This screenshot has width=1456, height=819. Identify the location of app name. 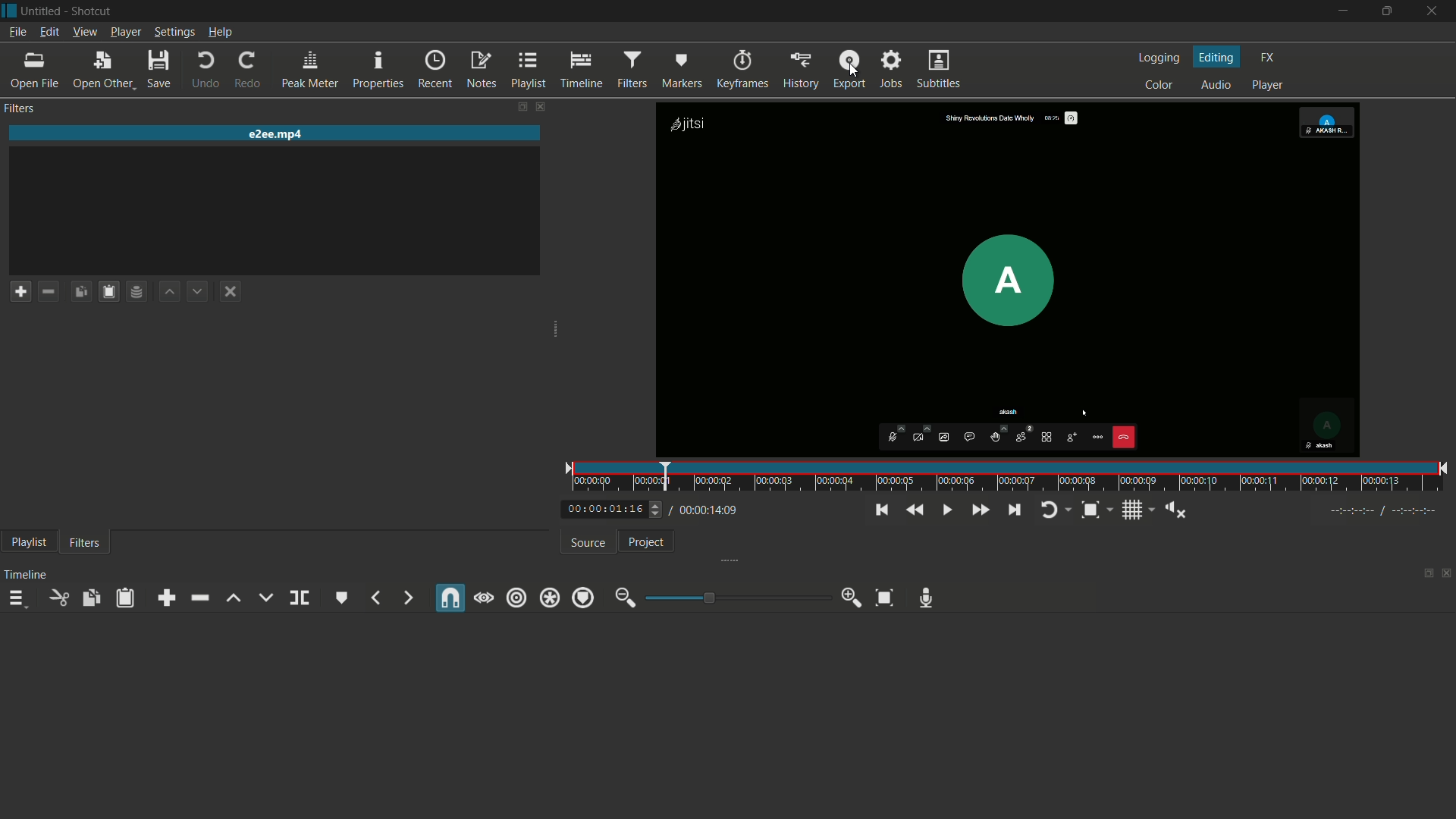
(94, 11).